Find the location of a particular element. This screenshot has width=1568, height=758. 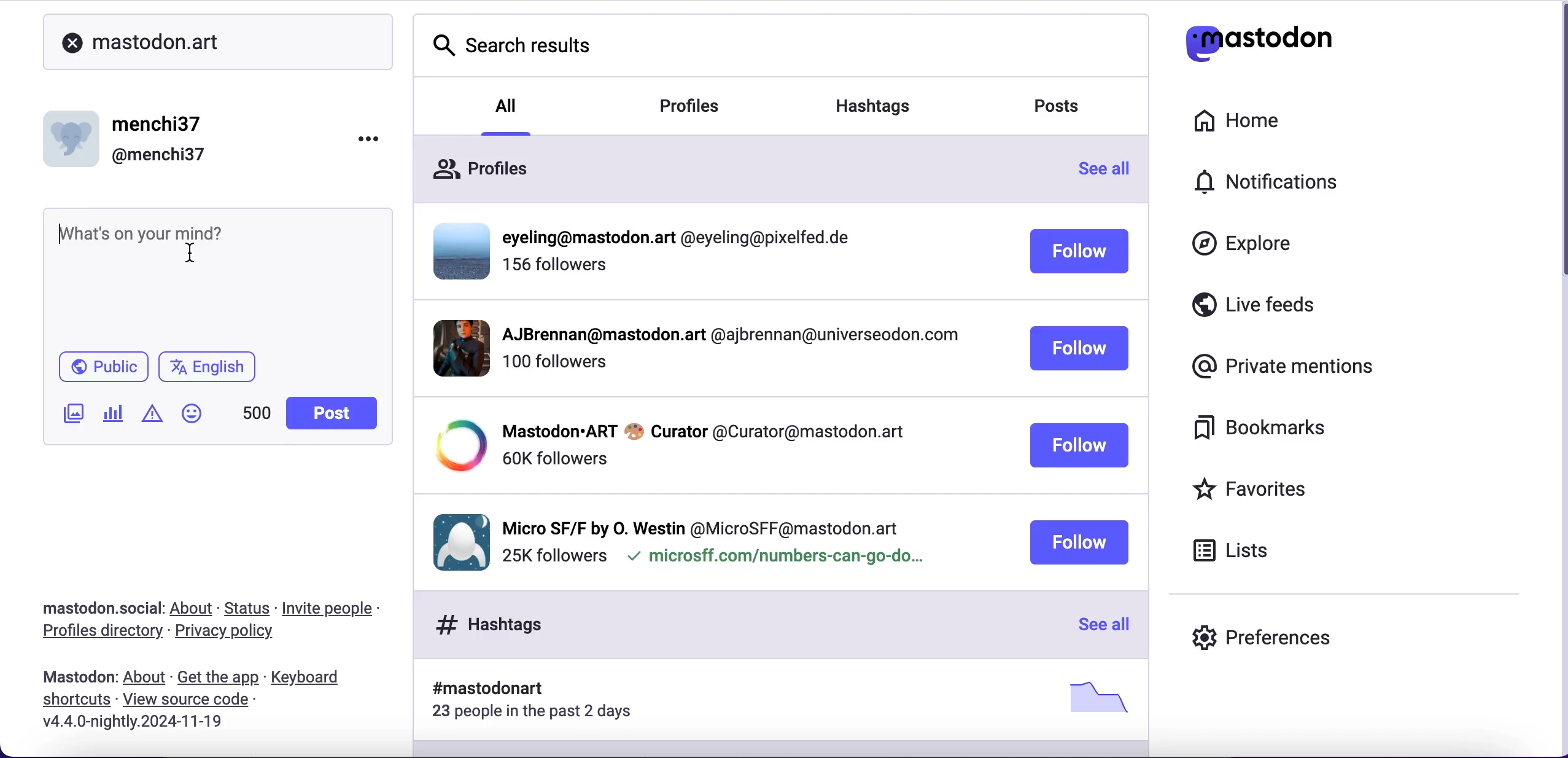

add image is located at coordinates (76, 415).